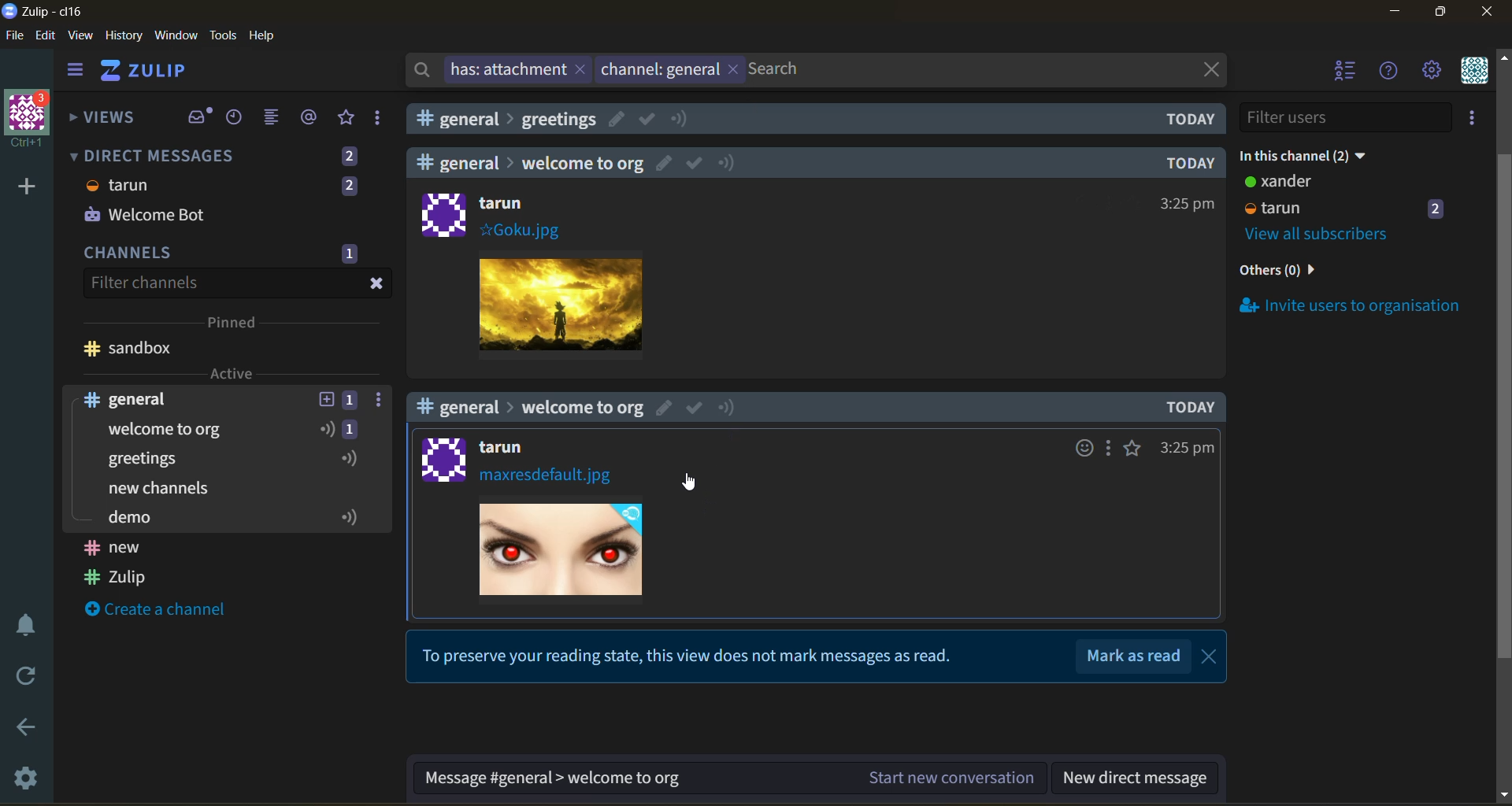 This screenshot has width=1512, height=806. What do you see at coordinates (144, 215) in the screenshot?
I see `Welcome Bot` at bounding box center [144, 215].